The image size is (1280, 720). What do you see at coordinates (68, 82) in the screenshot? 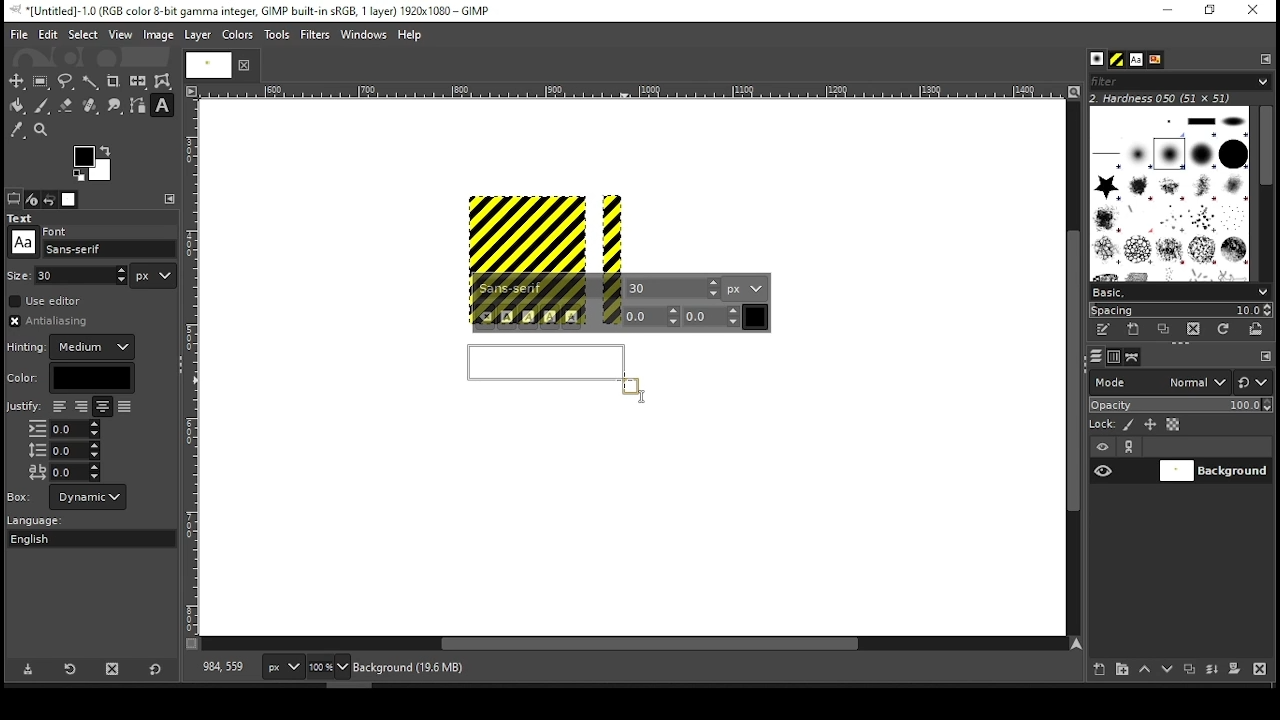
I see `free selection tool` at bounding box center [68, 82].